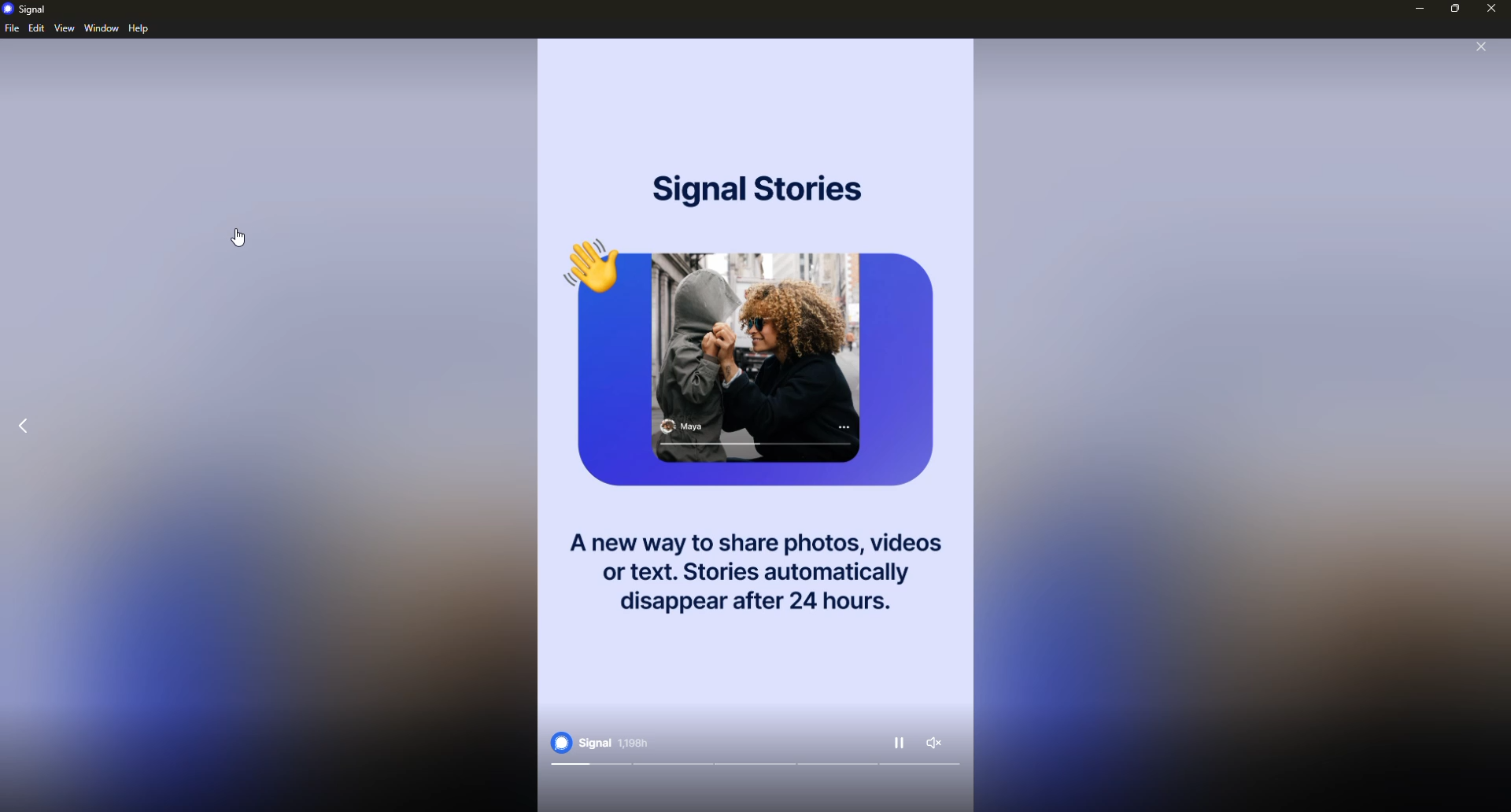 The height and width of the screenshot is (812, 1511). I want to click on muted, so click(934, 743).